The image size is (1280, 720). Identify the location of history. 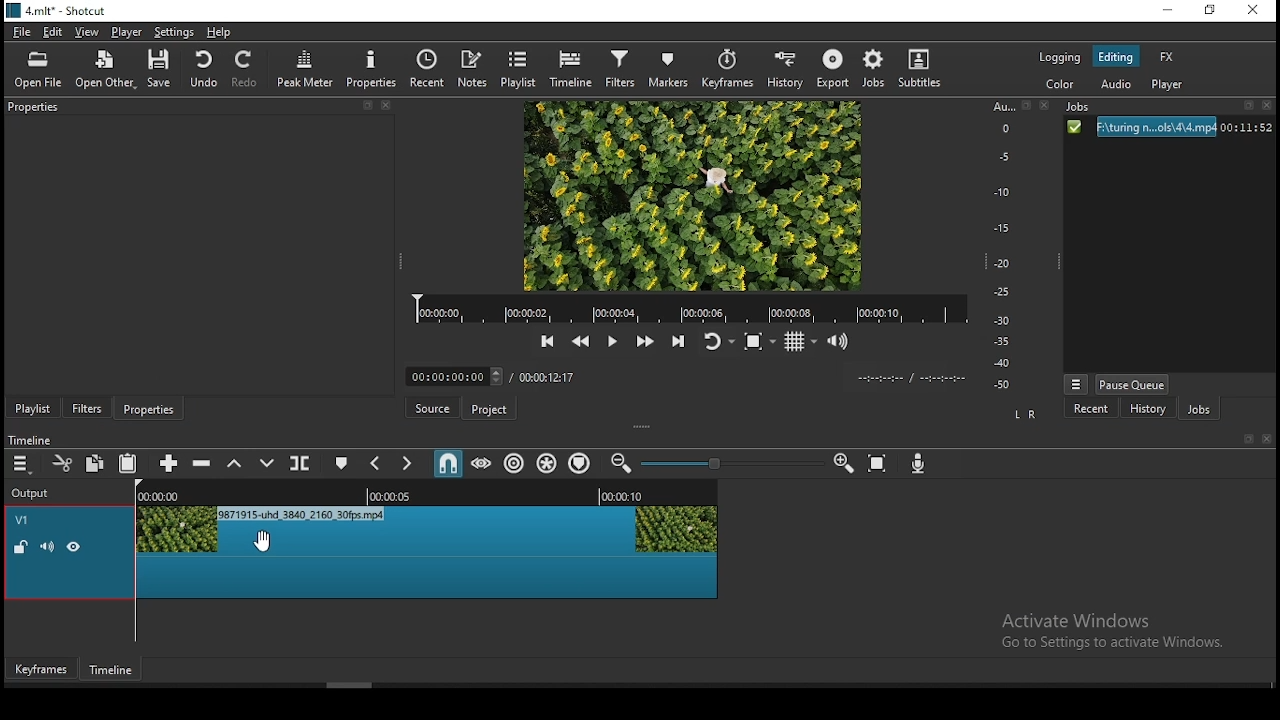
(786, 69).